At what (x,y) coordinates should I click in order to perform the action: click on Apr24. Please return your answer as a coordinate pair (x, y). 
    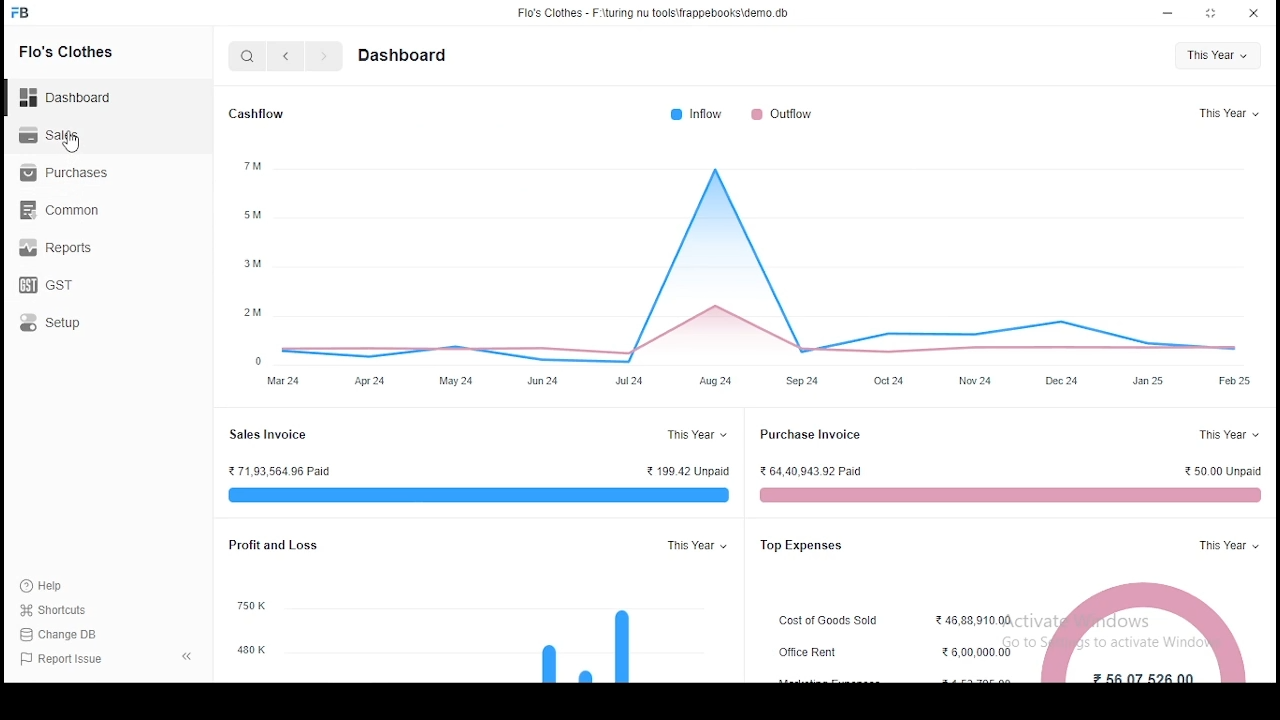
    Looking at the image, I should click on (370, 380).